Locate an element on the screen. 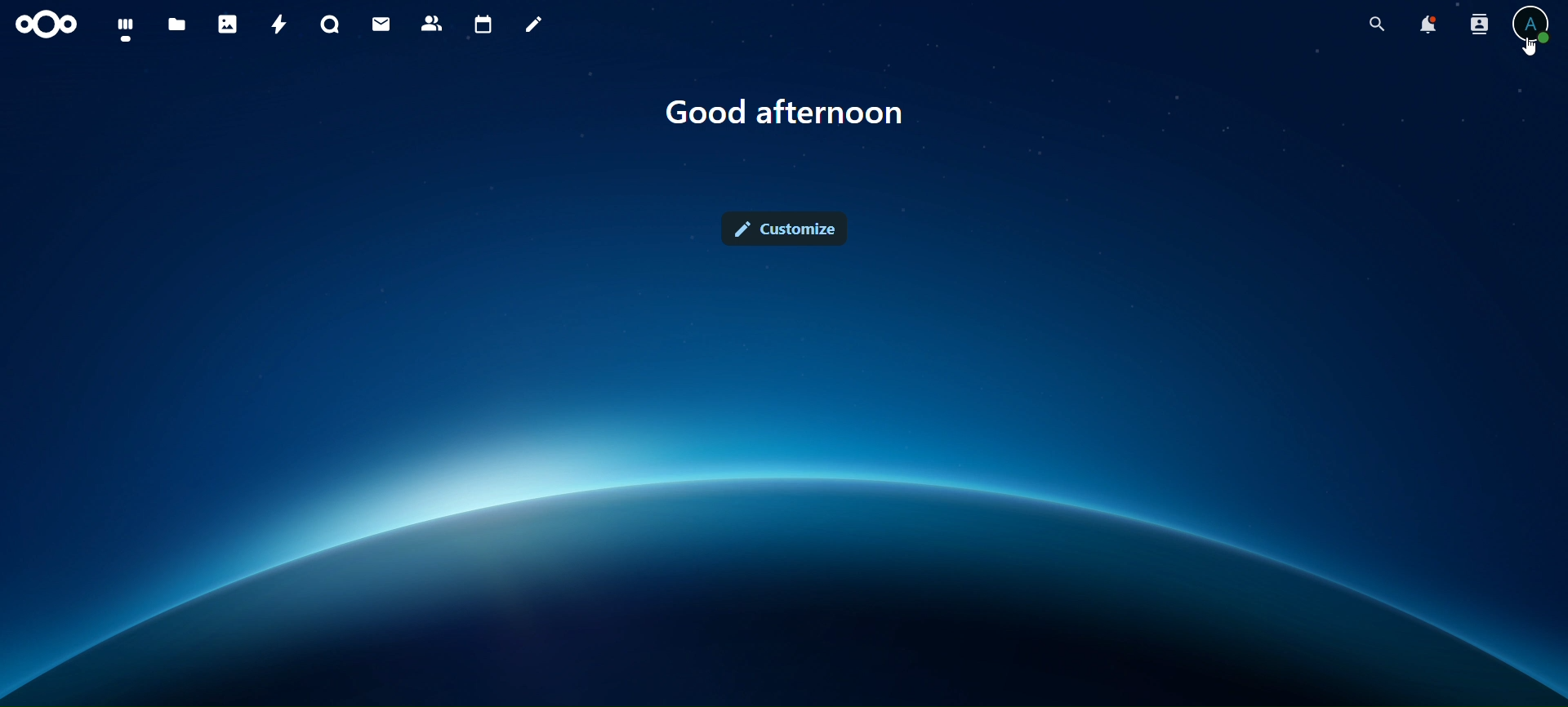 The width and height of the screenshot is (1568, 707). talk is located at coordinates (329, 24).